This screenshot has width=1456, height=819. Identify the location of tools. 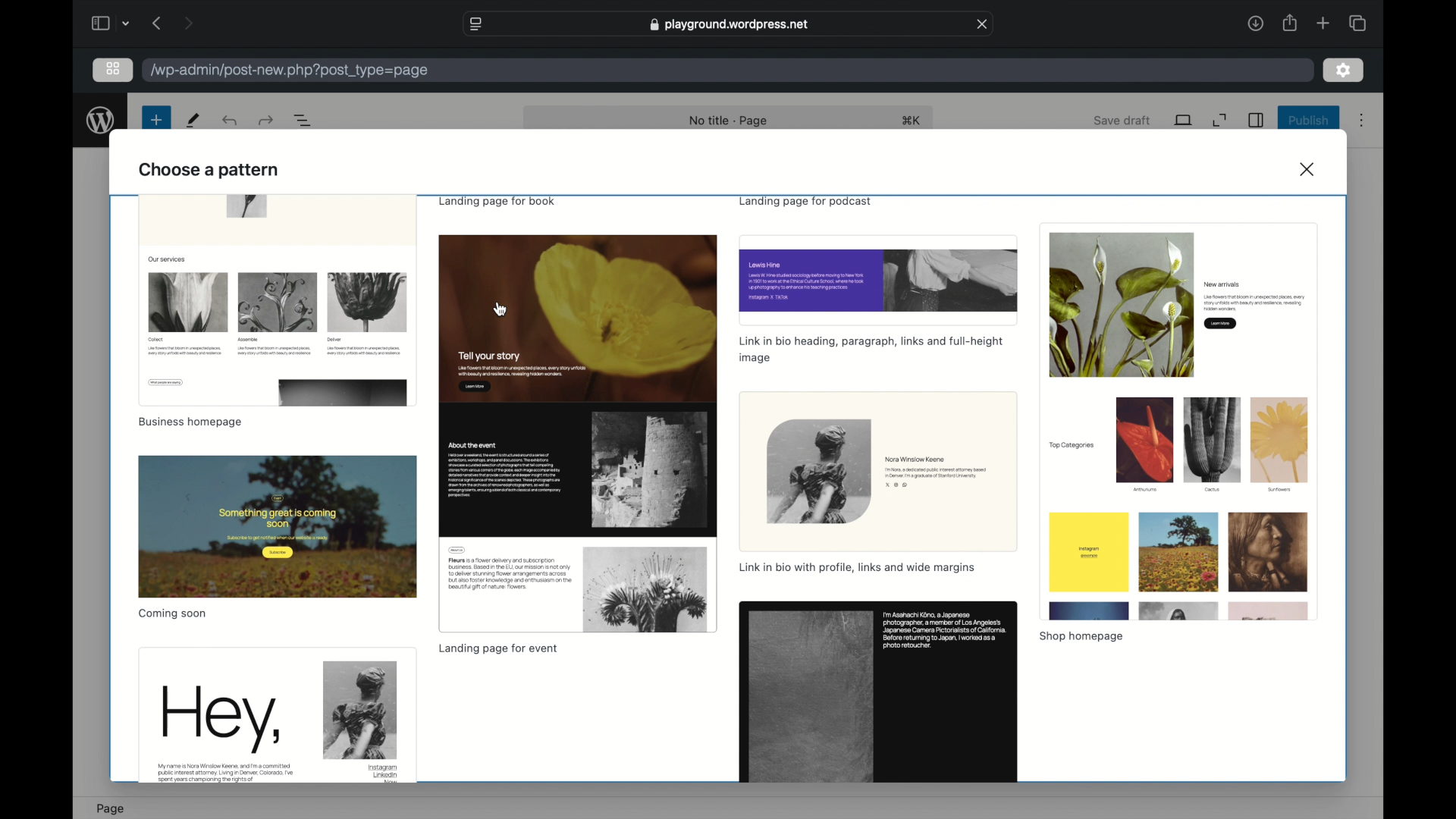
(194, 121).